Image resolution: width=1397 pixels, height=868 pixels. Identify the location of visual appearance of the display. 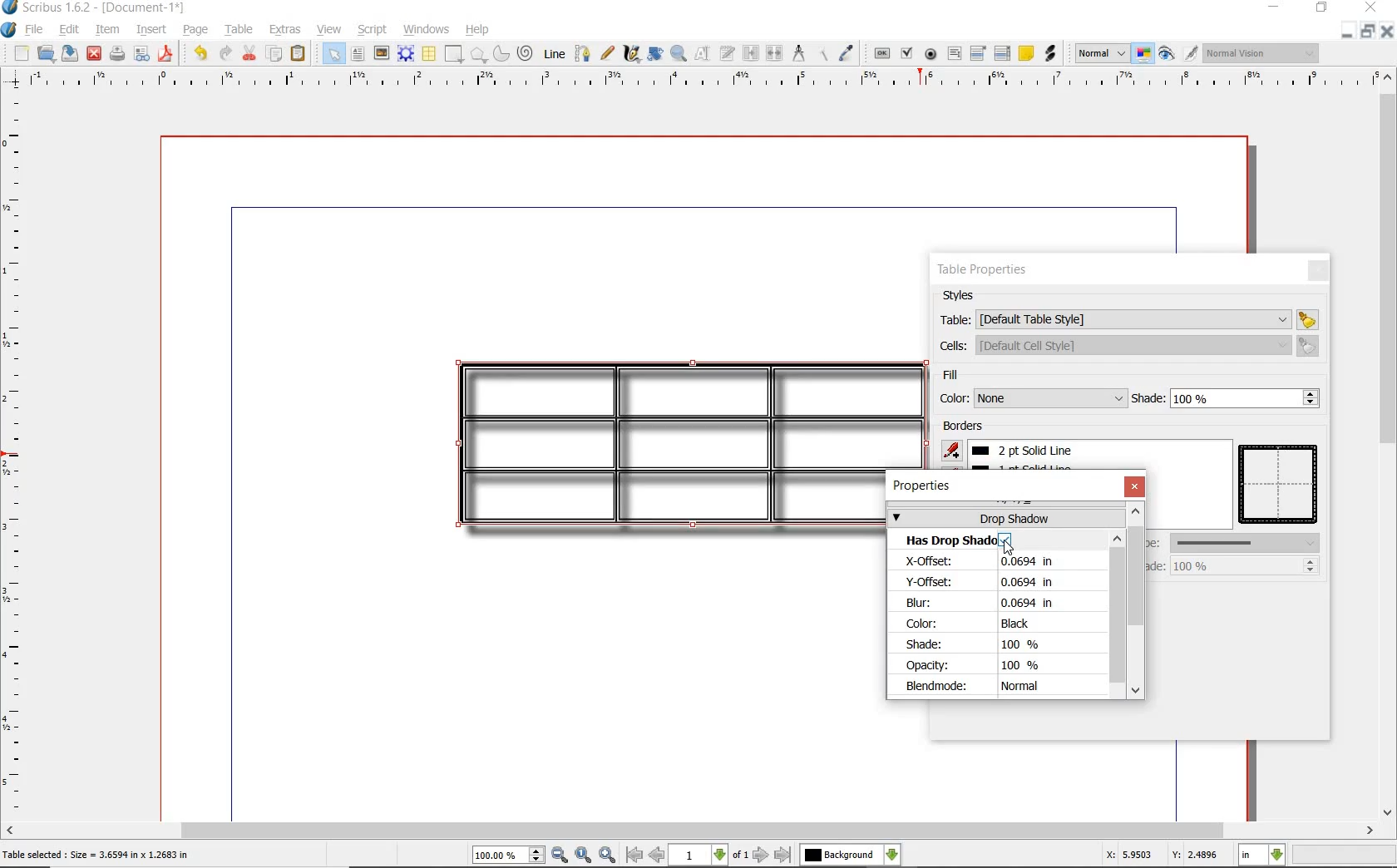
(1266, 55).